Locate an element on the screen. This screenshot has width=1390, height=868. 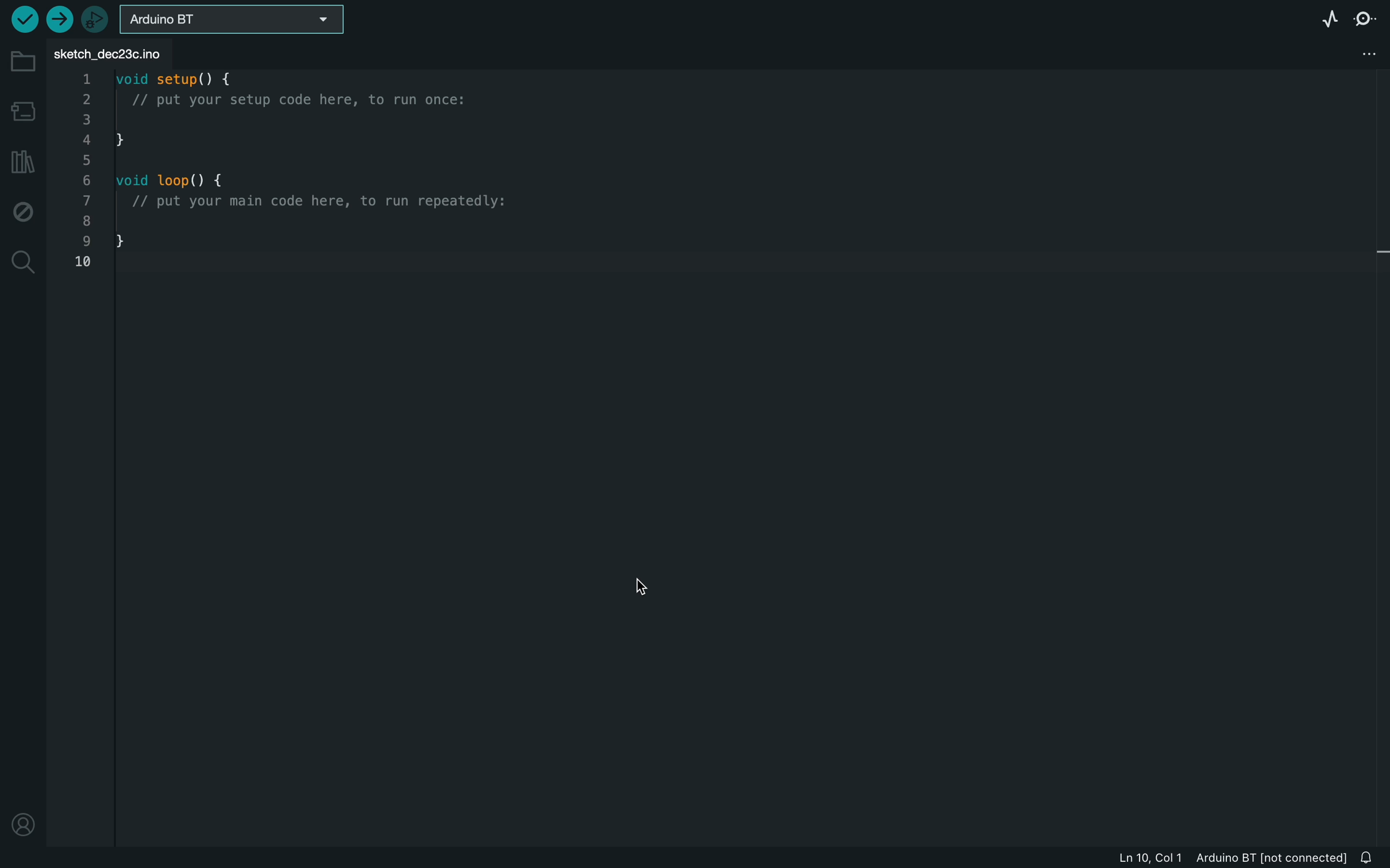
folder is located at coordinates (21, 63).